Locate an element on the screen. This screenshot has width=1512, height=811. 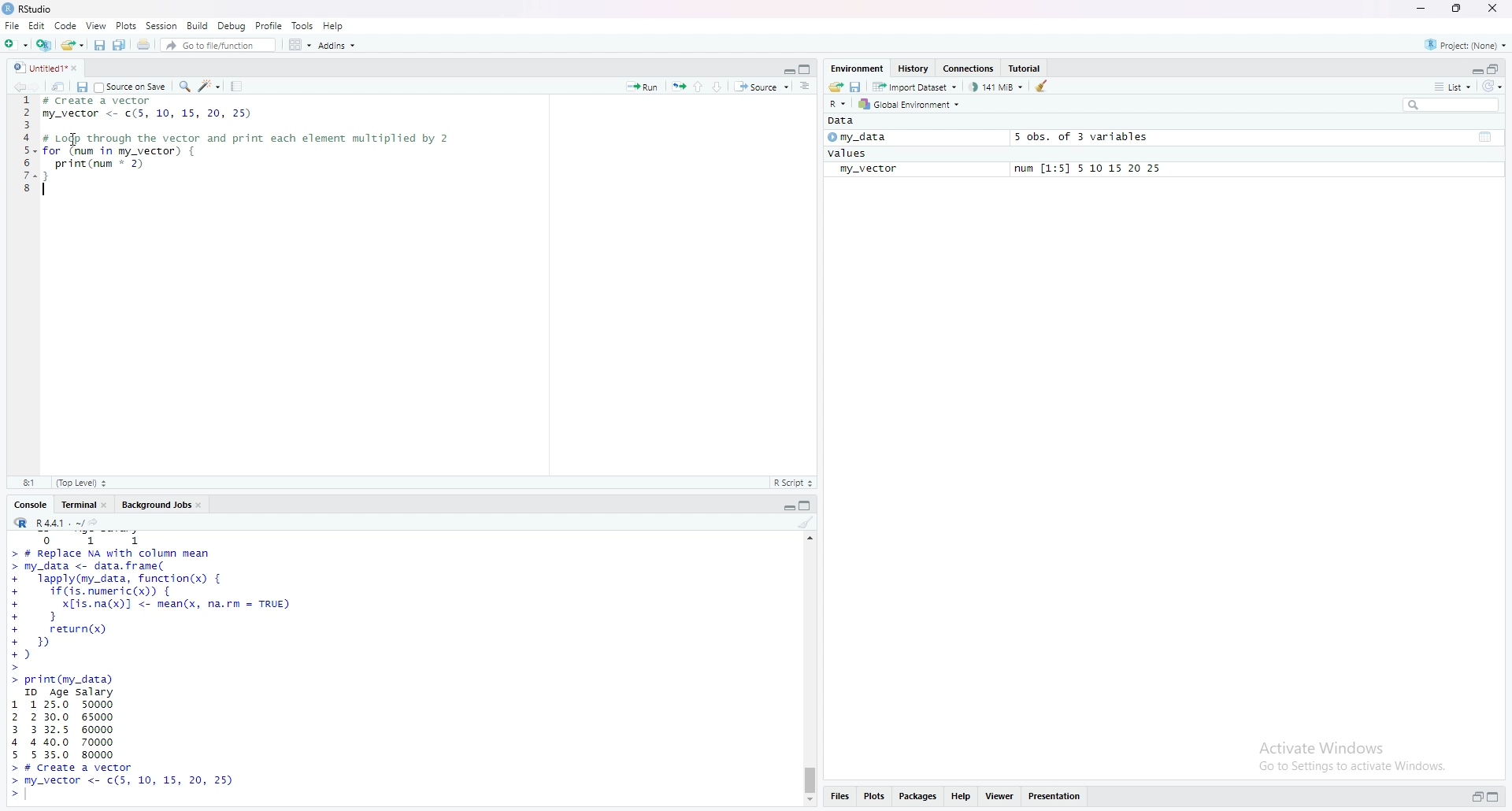
save all open documents is located at coordinates (120, 45).